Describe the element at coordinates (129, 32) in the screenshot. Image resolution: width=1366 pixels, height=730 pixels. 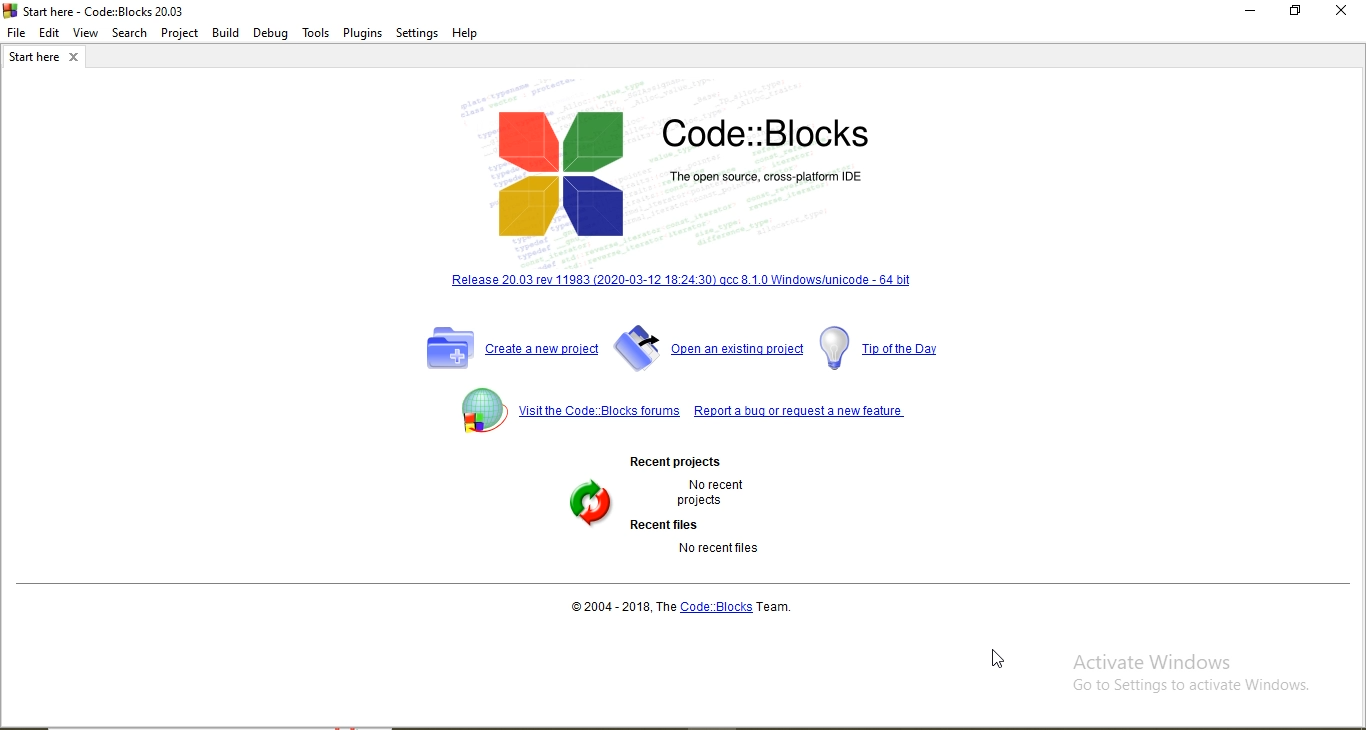
I see `Search ` at that location.